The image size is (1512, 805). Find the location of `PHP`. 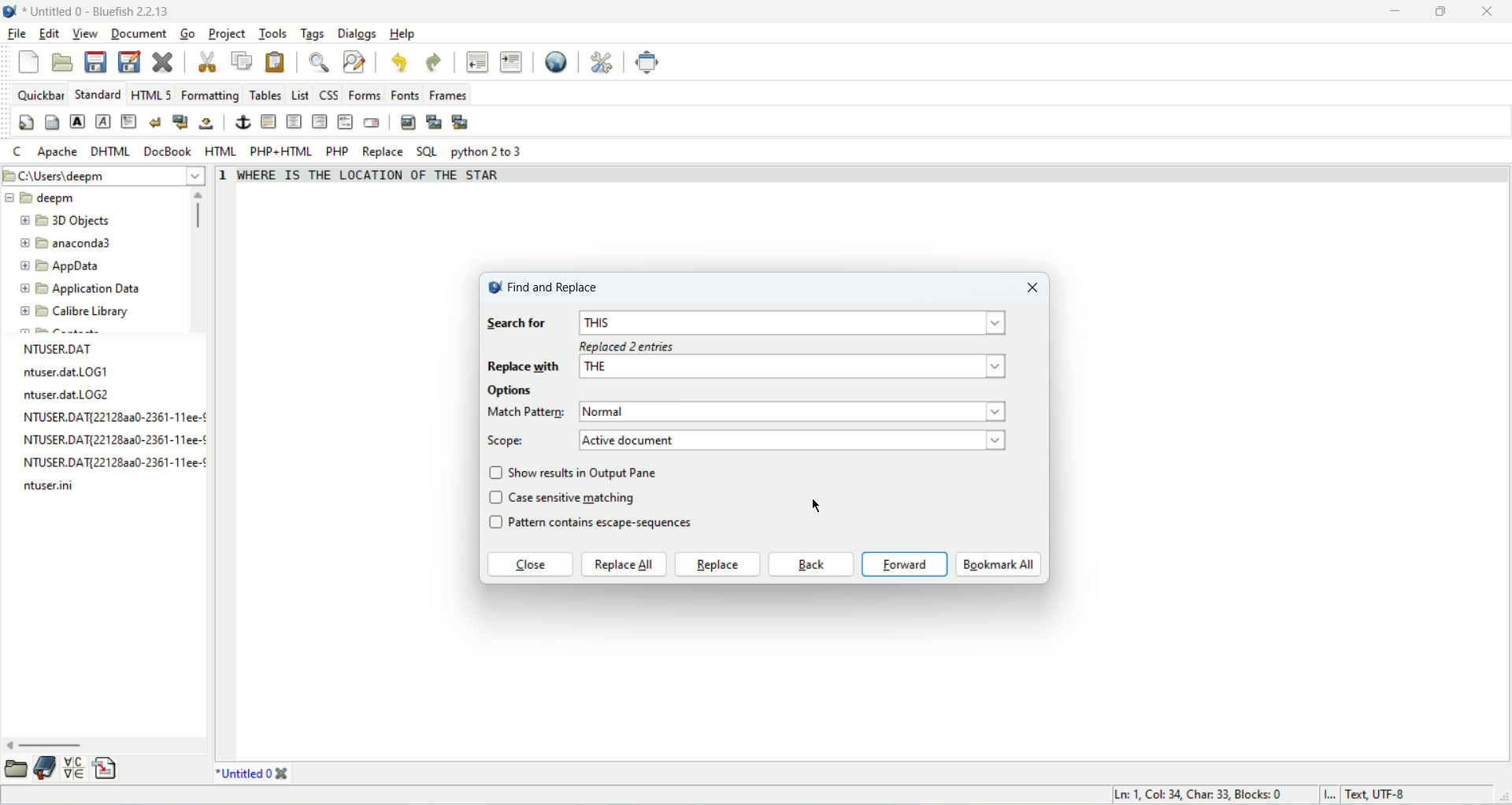

PHP is located at coordinates (337, 150).